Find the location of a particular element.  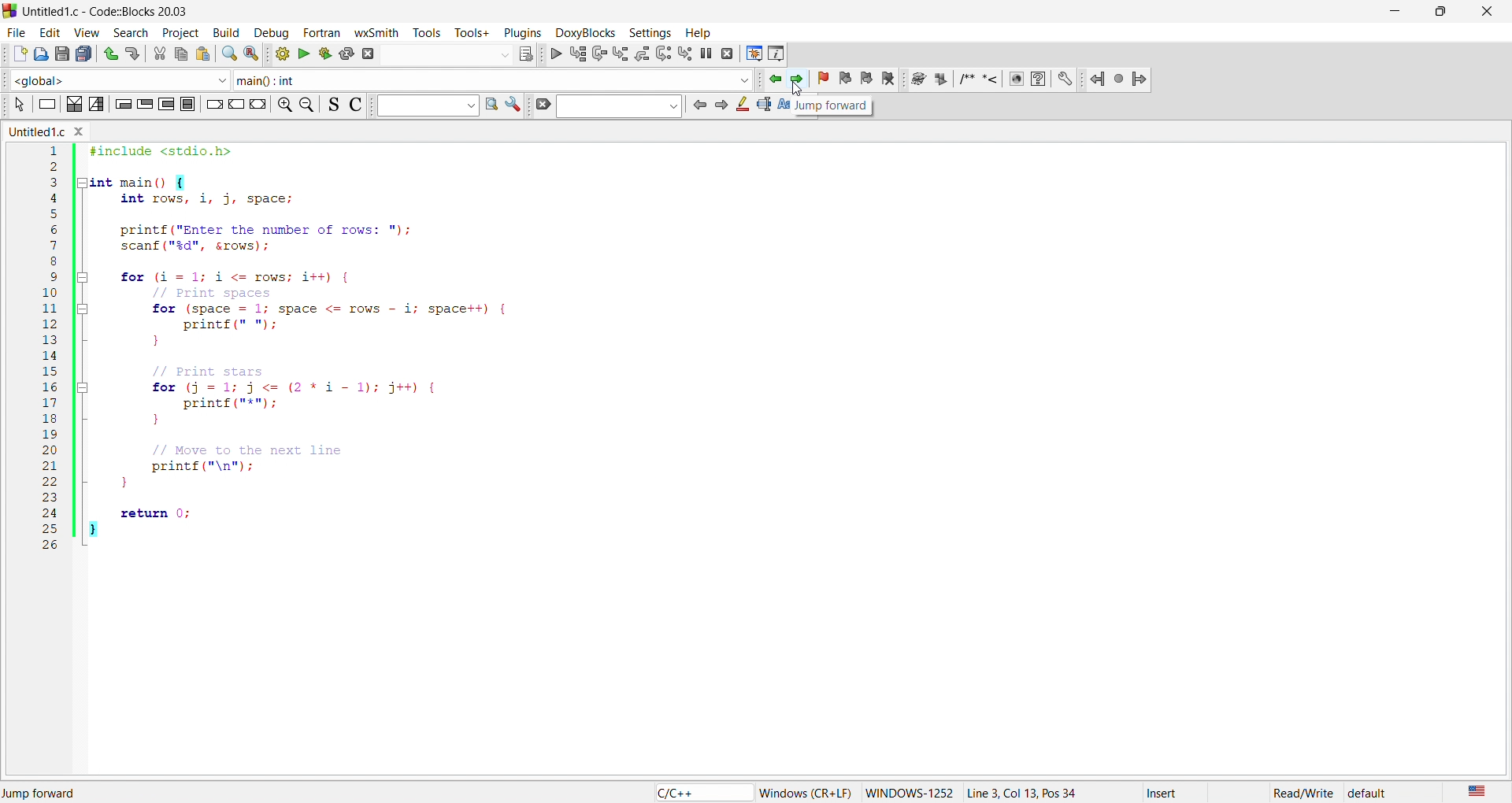

debug is located at coordinates (271, 31).